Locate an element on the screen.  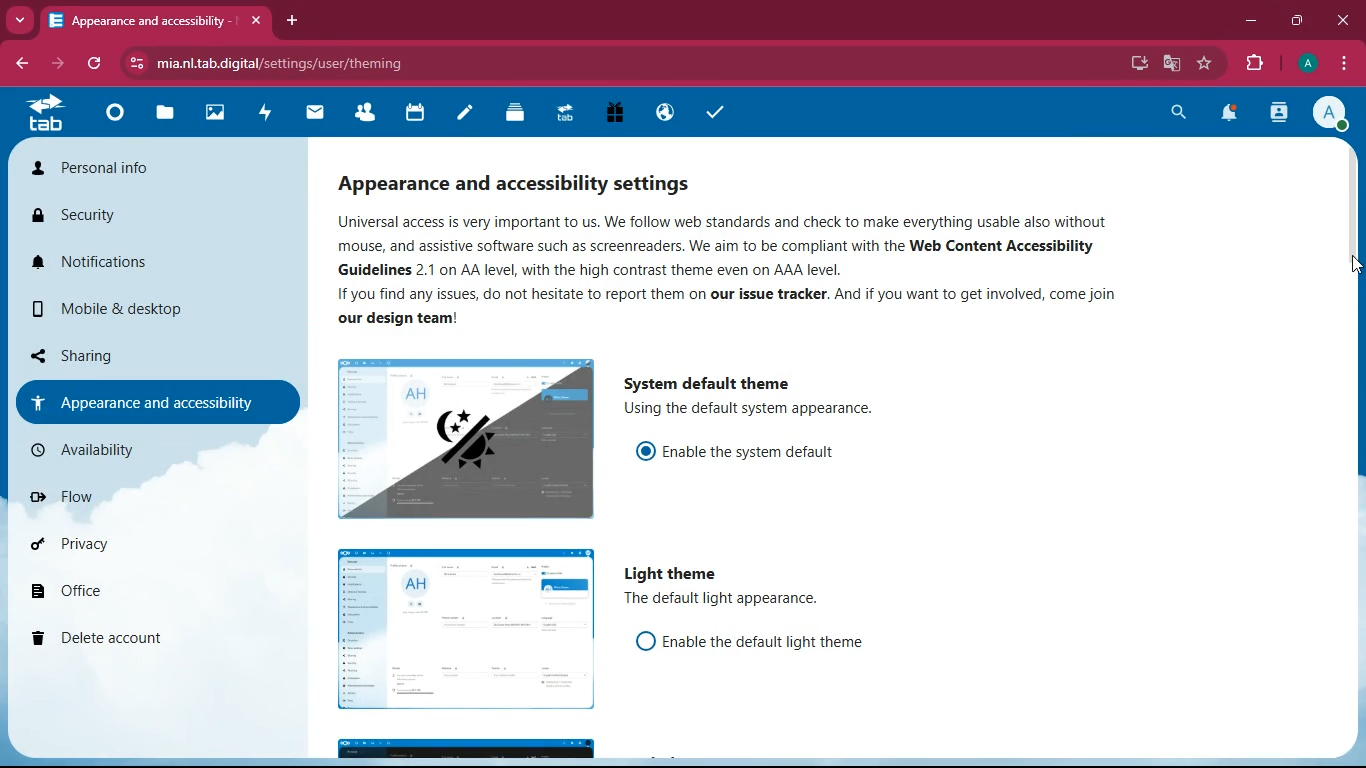
enable is located at coordinates (759, 450).